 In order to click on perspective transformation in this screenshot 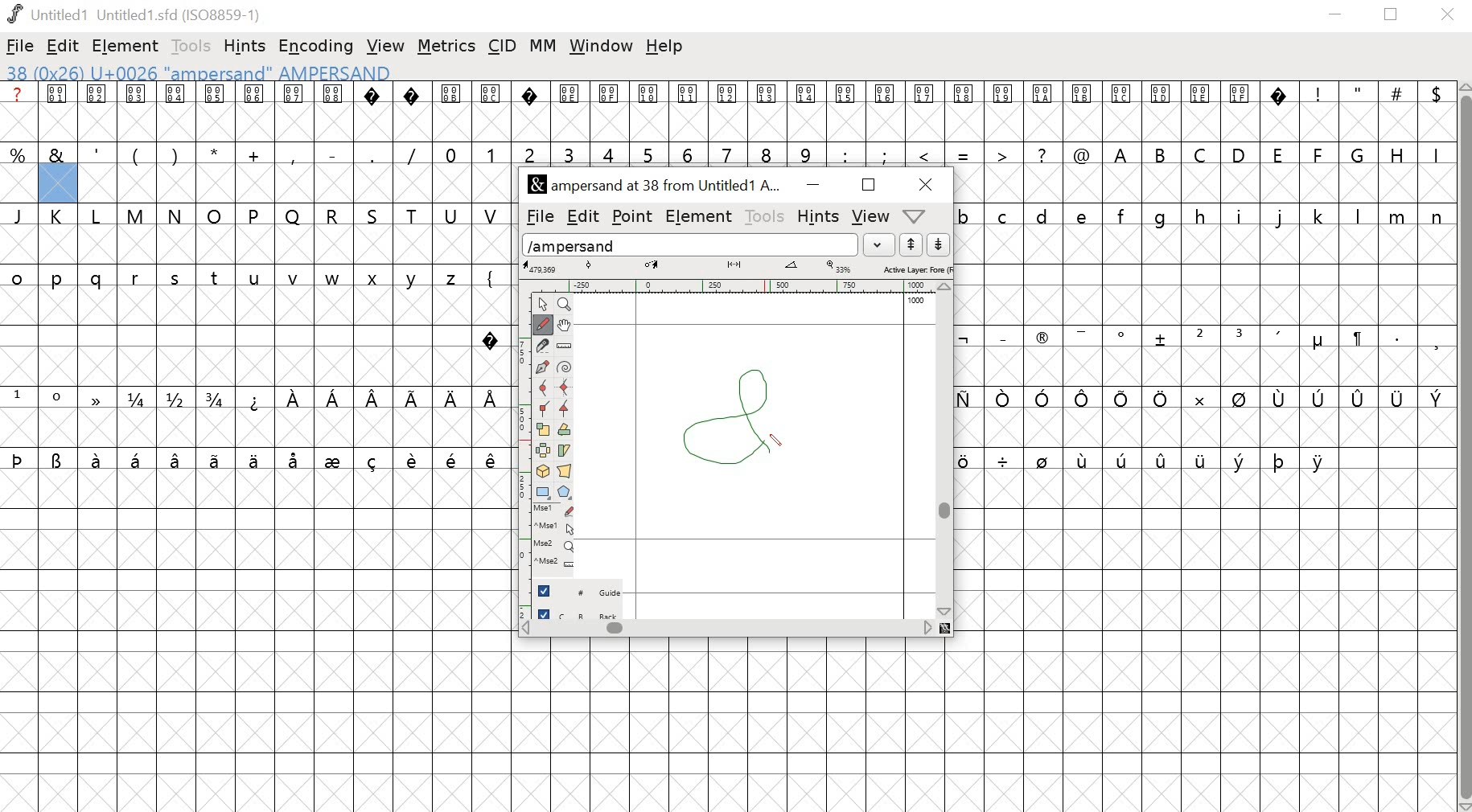, I will do `click(566, 471)`.